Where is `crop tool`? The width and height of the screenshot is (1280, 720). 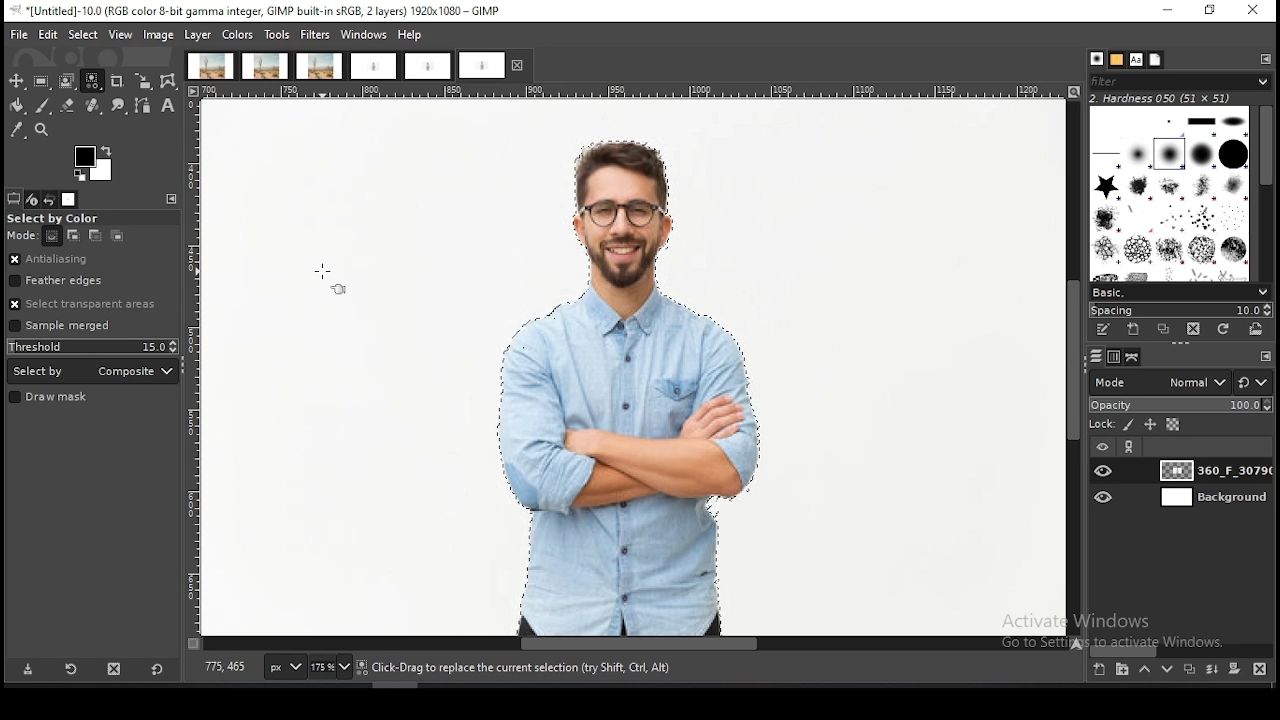 crop tool is located at coordinates (117, 83).